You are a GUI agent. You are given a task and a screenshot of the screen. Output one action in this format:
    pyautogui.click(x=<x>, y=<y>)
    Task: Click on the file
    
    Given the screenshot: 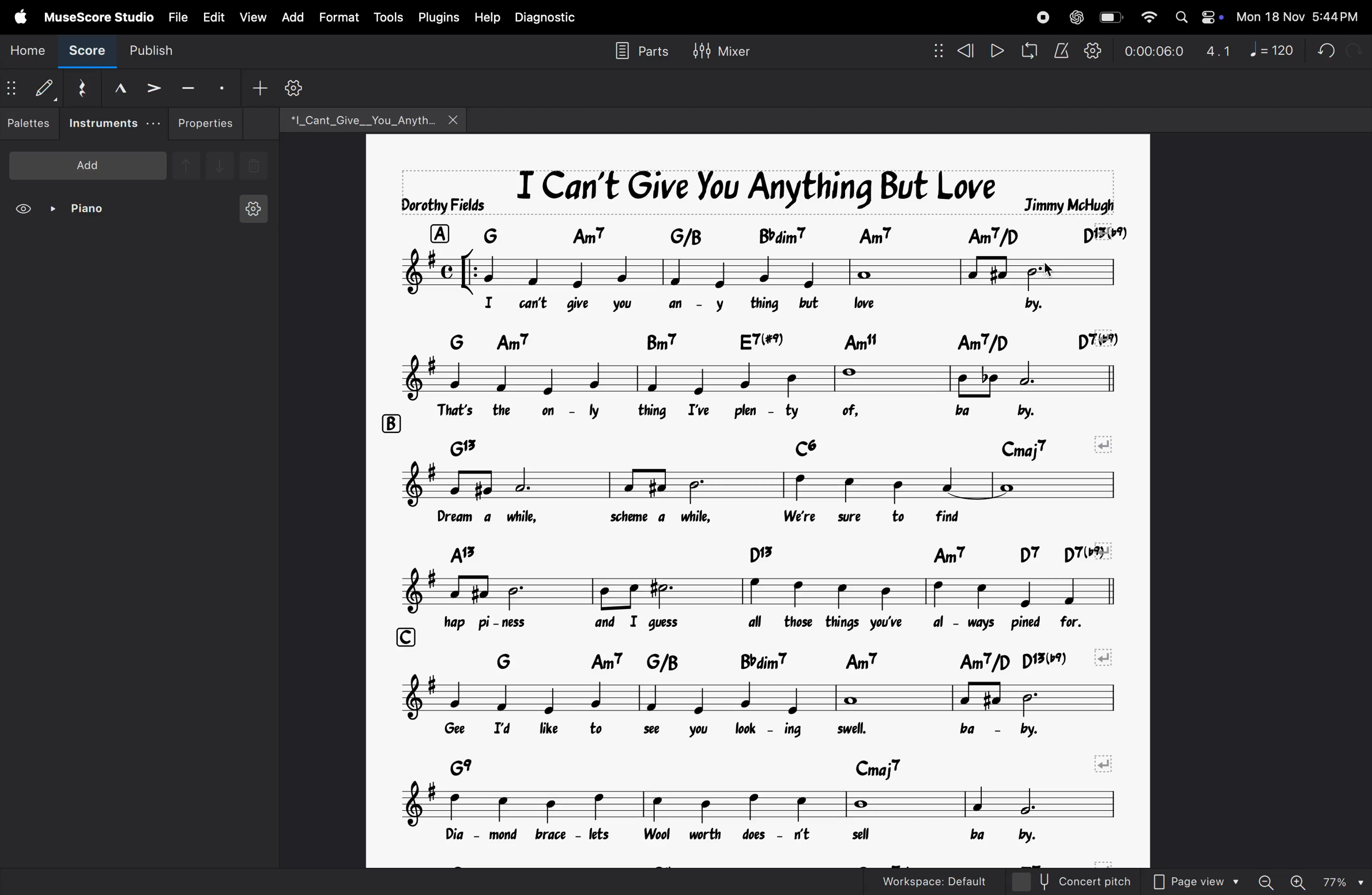 What is the action you would take?
    pyautogui.click(x=178, y=18)
    